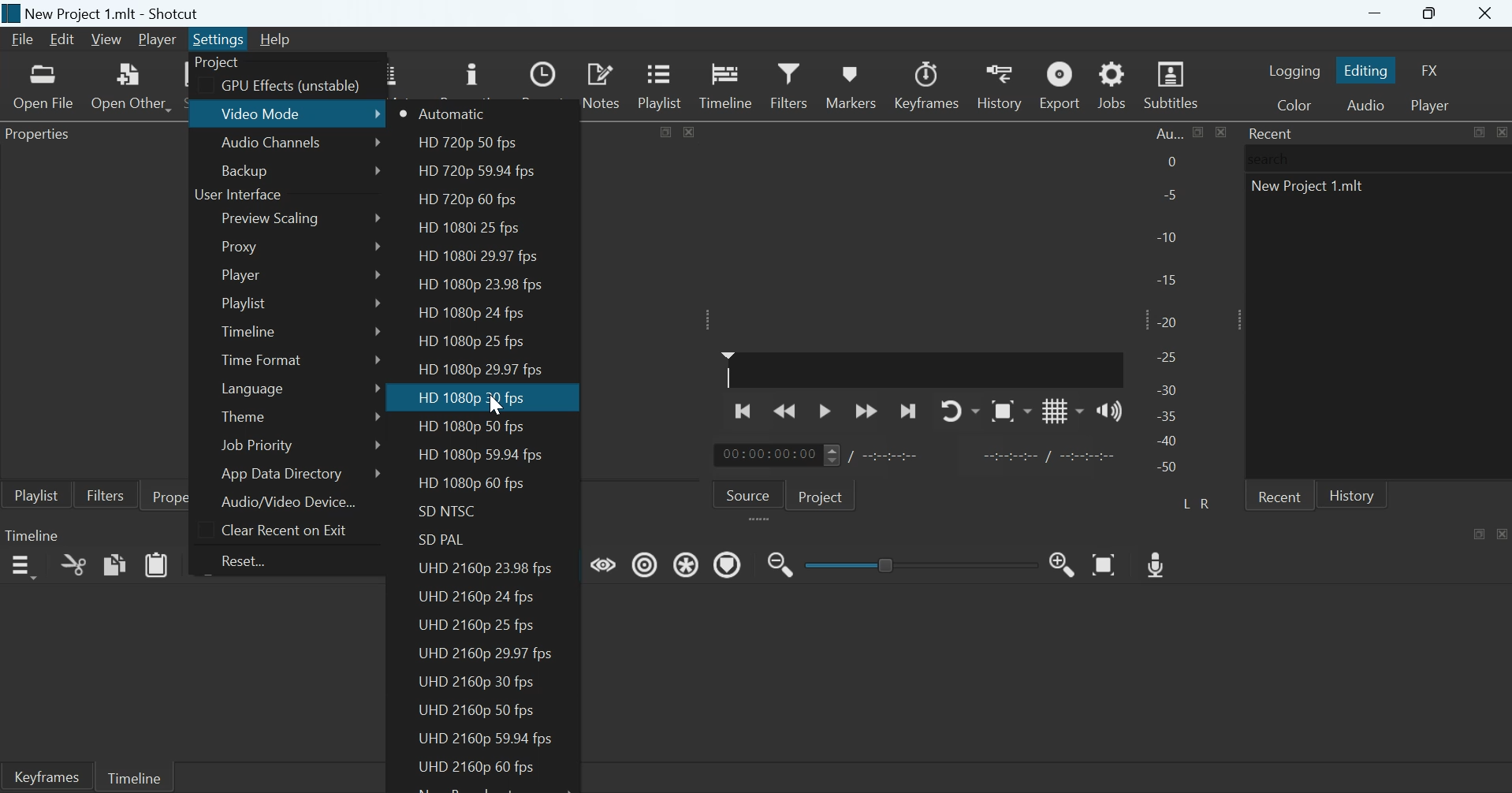 Image resolution: width=1512 pixels, height=793 pixels. I want to click on Edit, so click(61, 39).